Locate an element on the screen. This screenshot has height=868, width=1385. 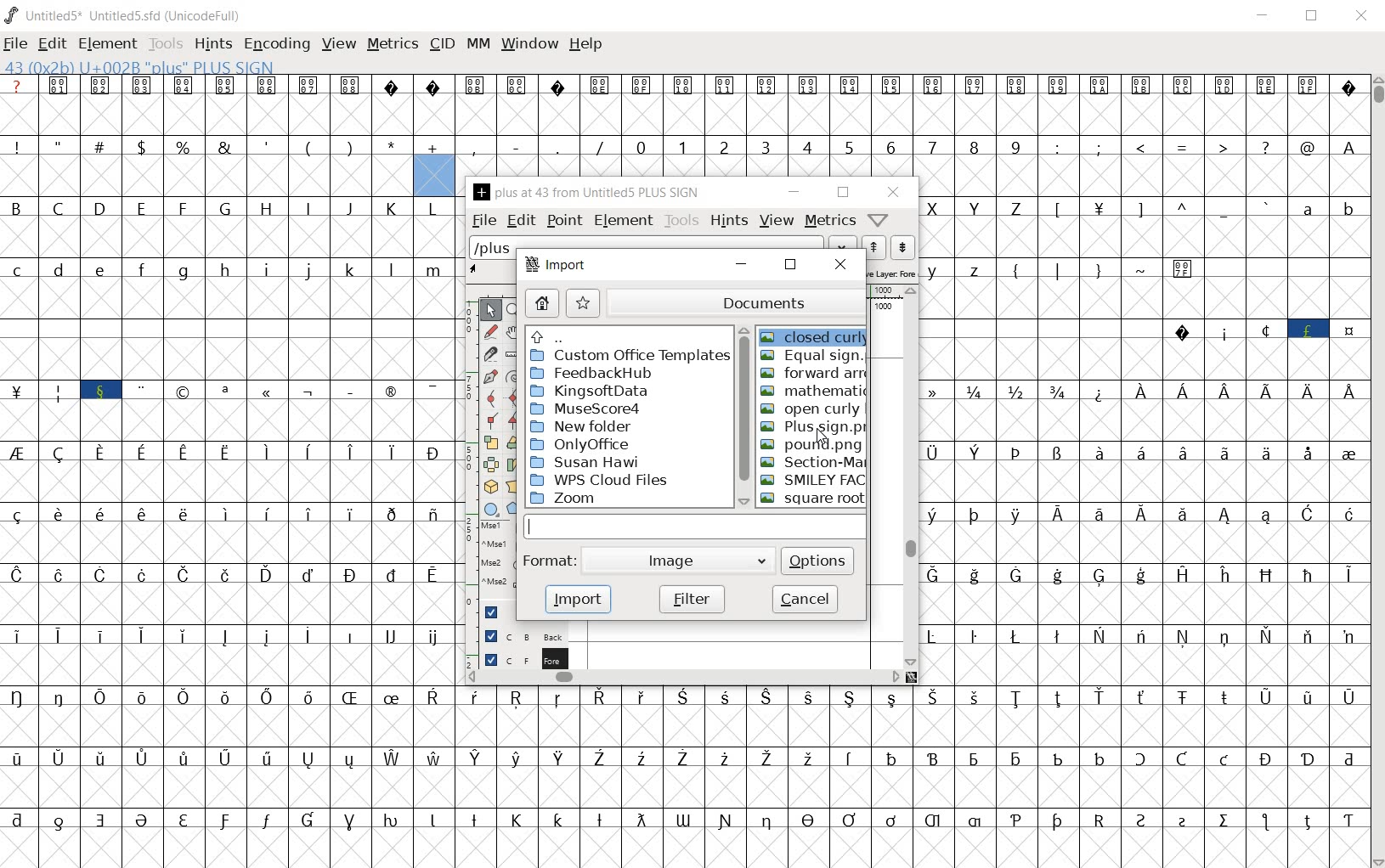
accented letters is located at coordinates (247, 593).